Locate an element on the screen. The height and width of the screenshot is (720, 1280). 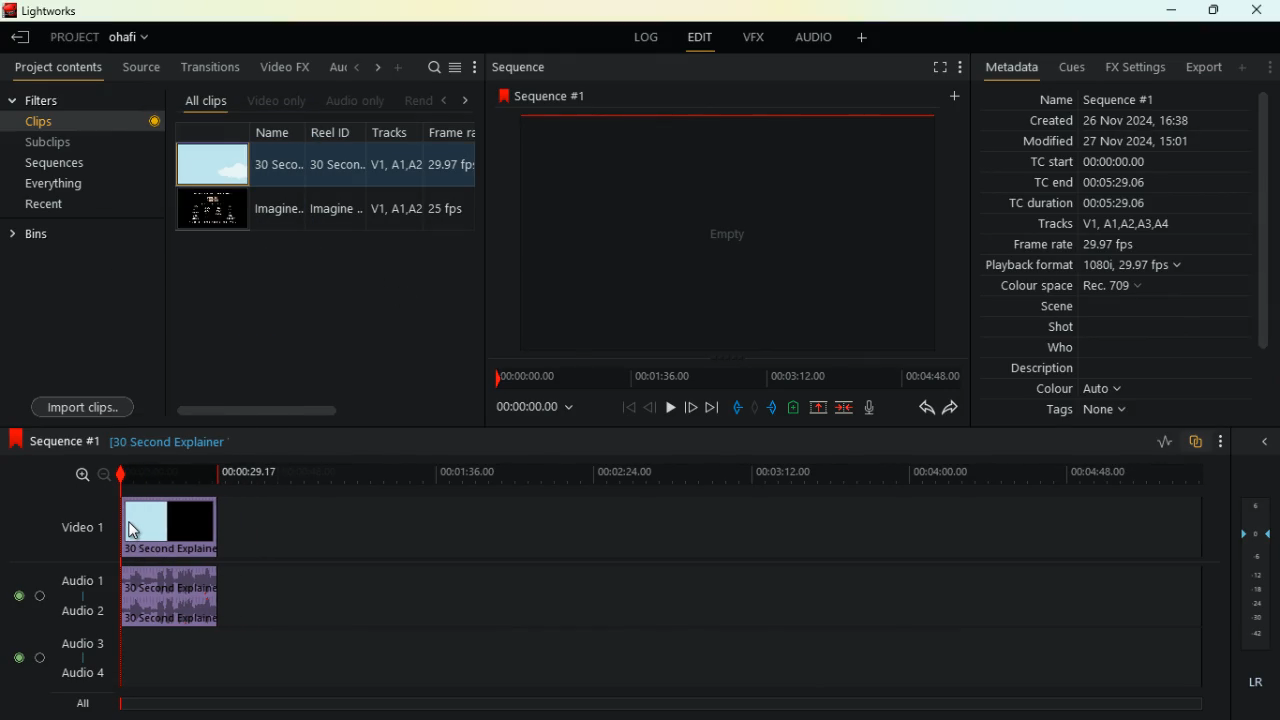
subclips is located at coordinates (64, 142).